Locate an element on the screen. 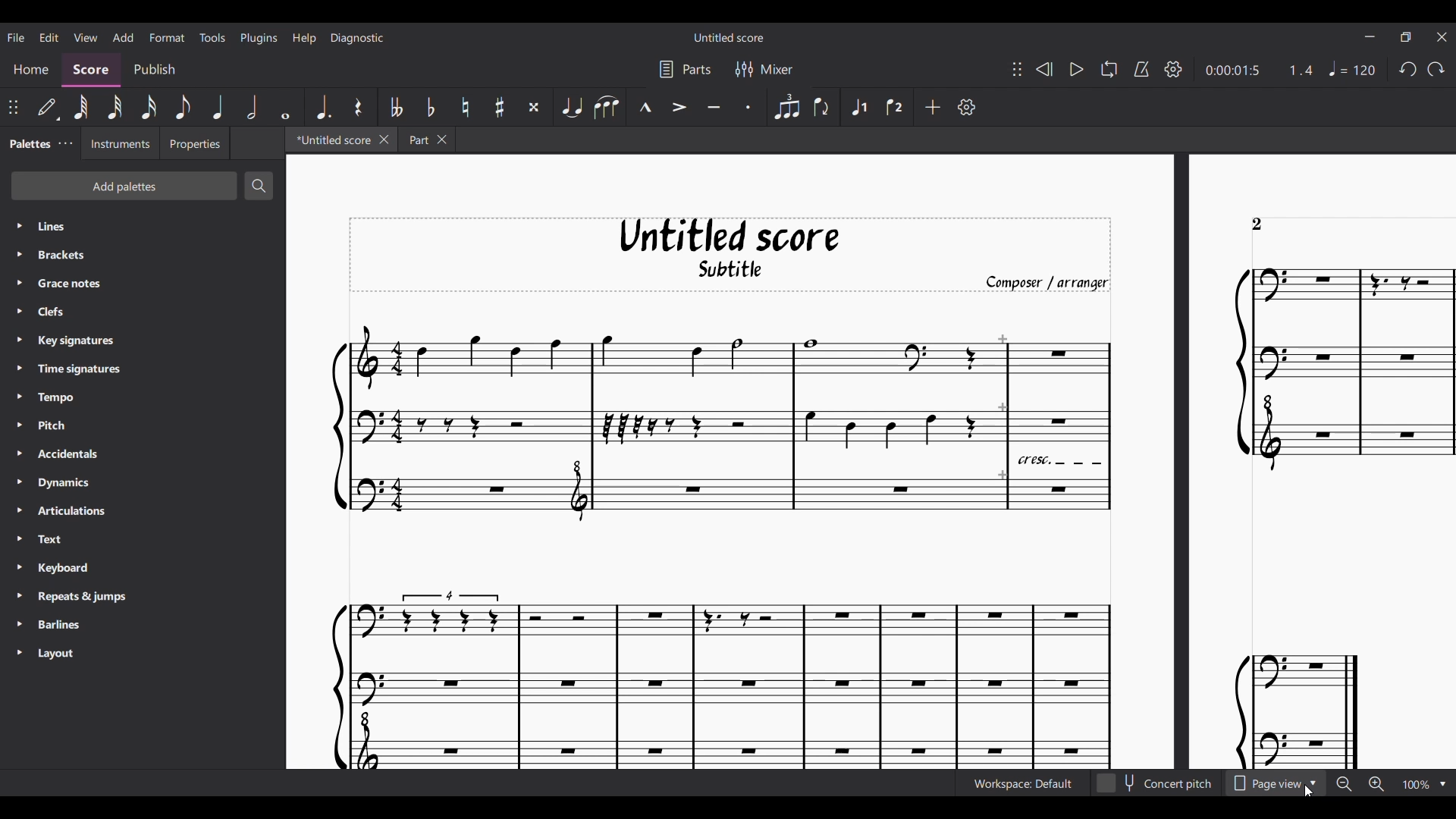 The height and width of the screenshot is (819, 1456). Customize toolbar is located at coordinates (967, 107).